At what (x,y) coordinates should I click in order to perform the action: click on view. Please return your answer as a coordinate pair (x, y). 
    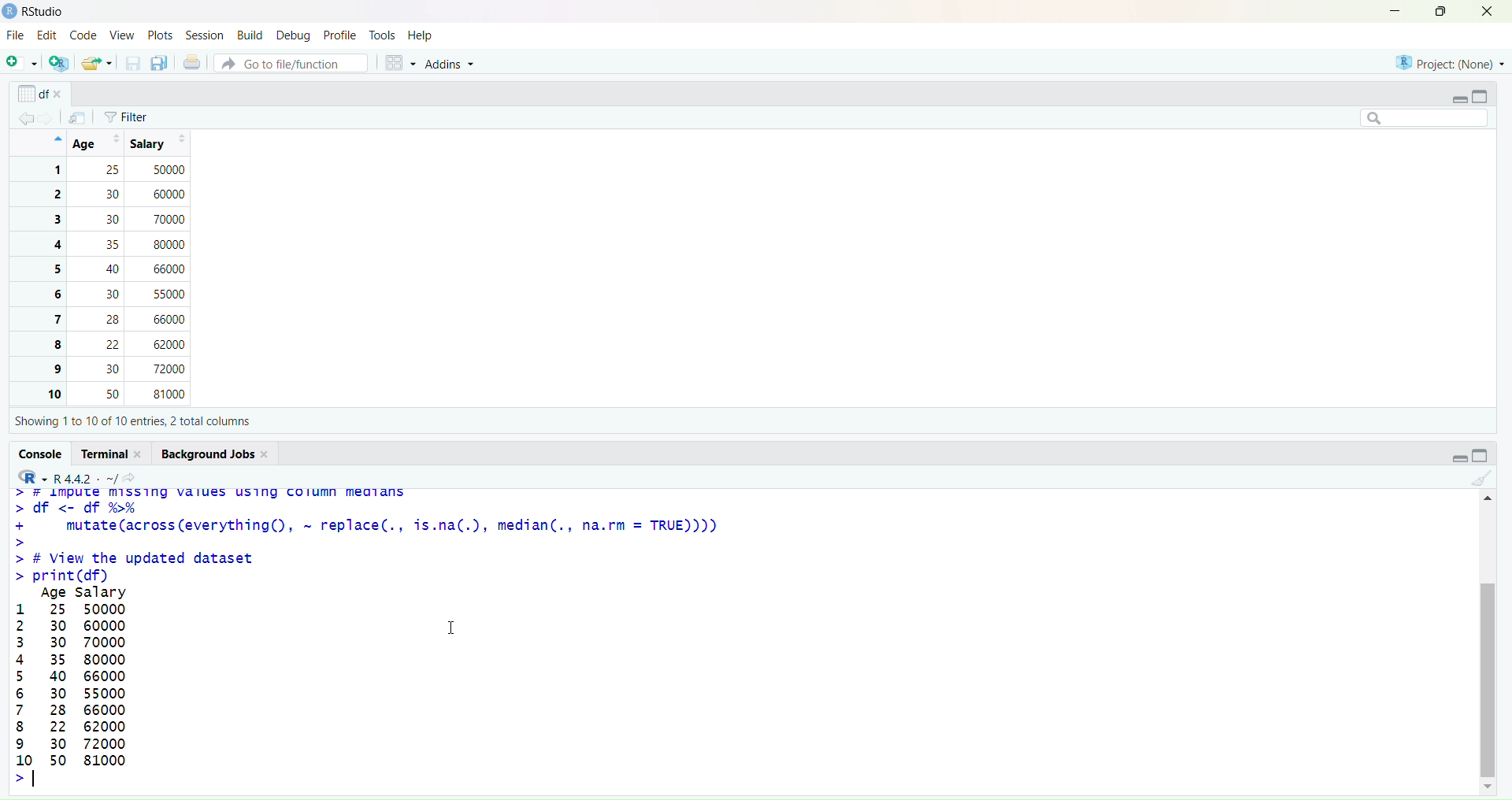
    Looking at the image, I should click on (121, 35).